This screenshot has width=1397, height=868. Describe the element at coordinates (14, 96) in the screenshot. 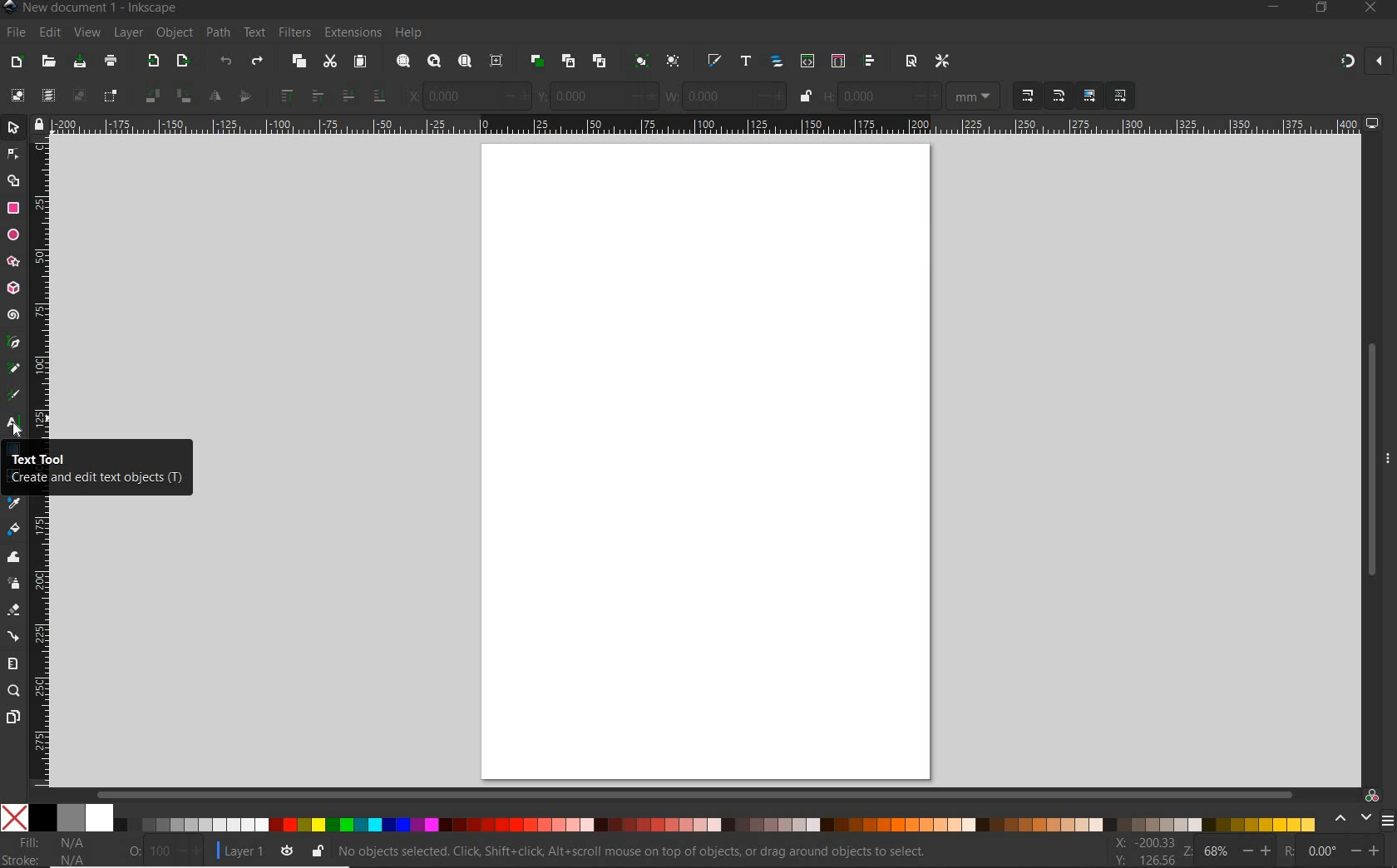

I see `select all` at that location.